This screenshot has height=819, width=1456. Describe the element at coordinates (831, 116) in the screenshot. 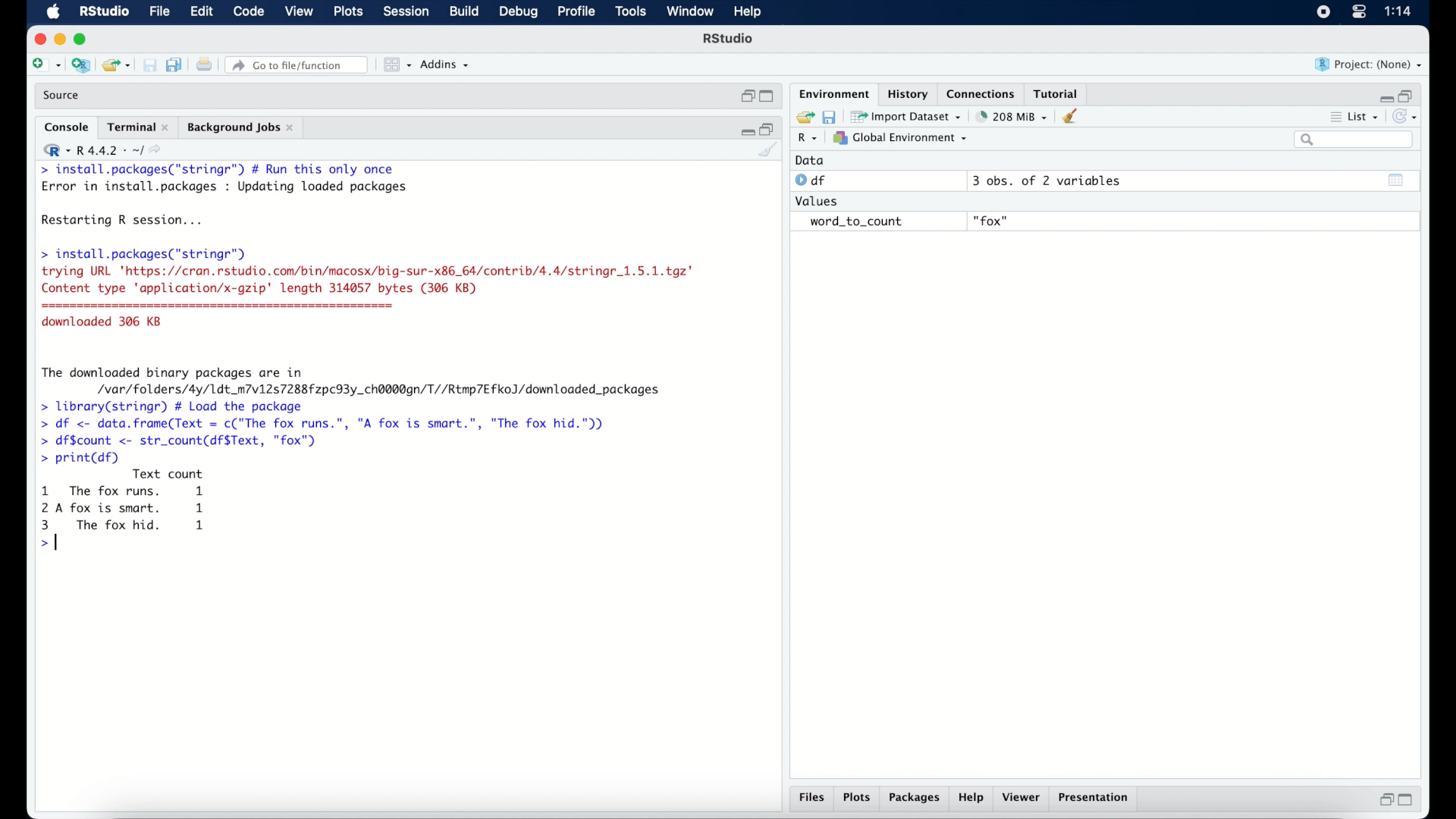

I see `save` at that location.